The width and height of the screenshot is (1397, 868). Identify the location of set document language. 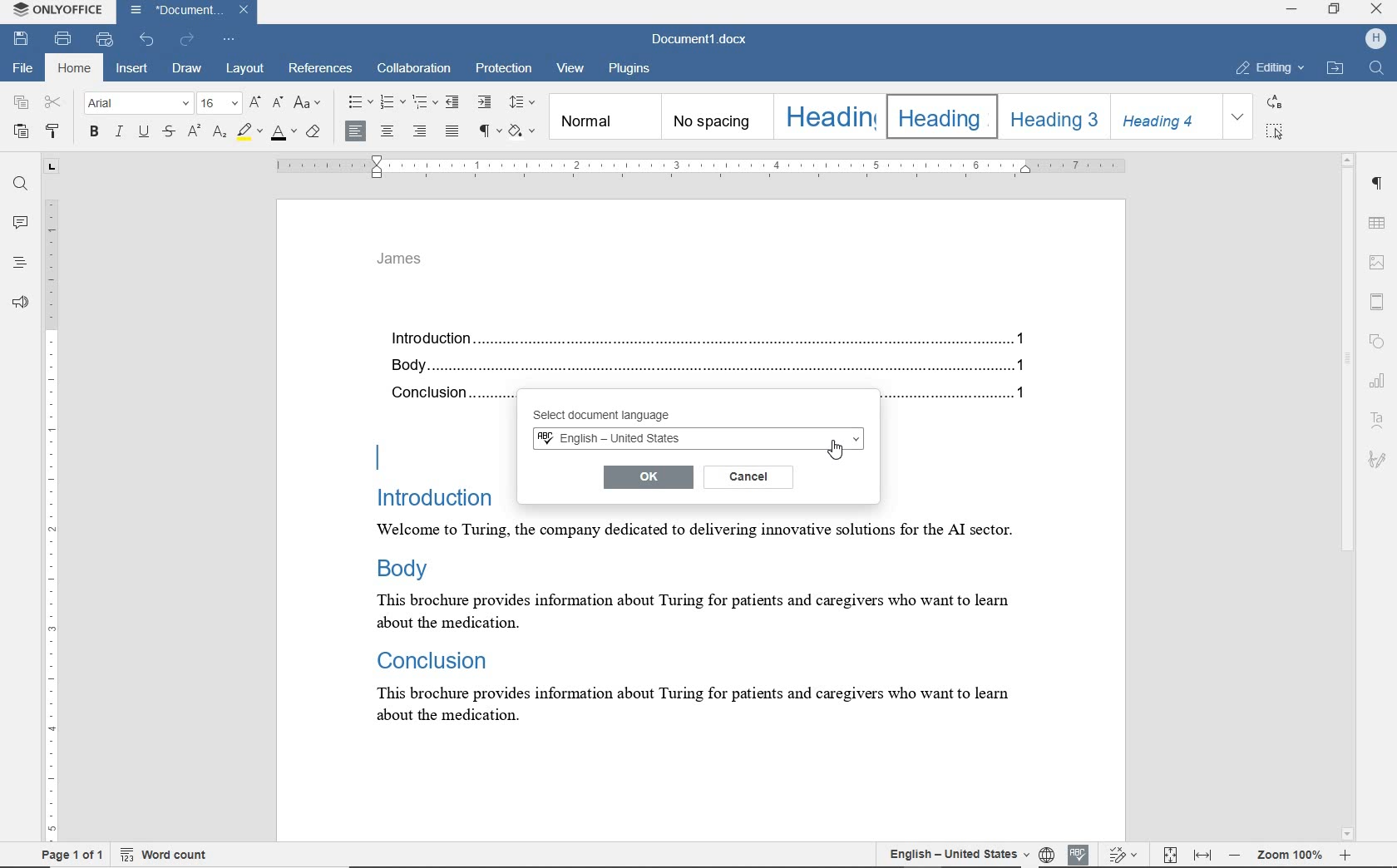
(950, 853).